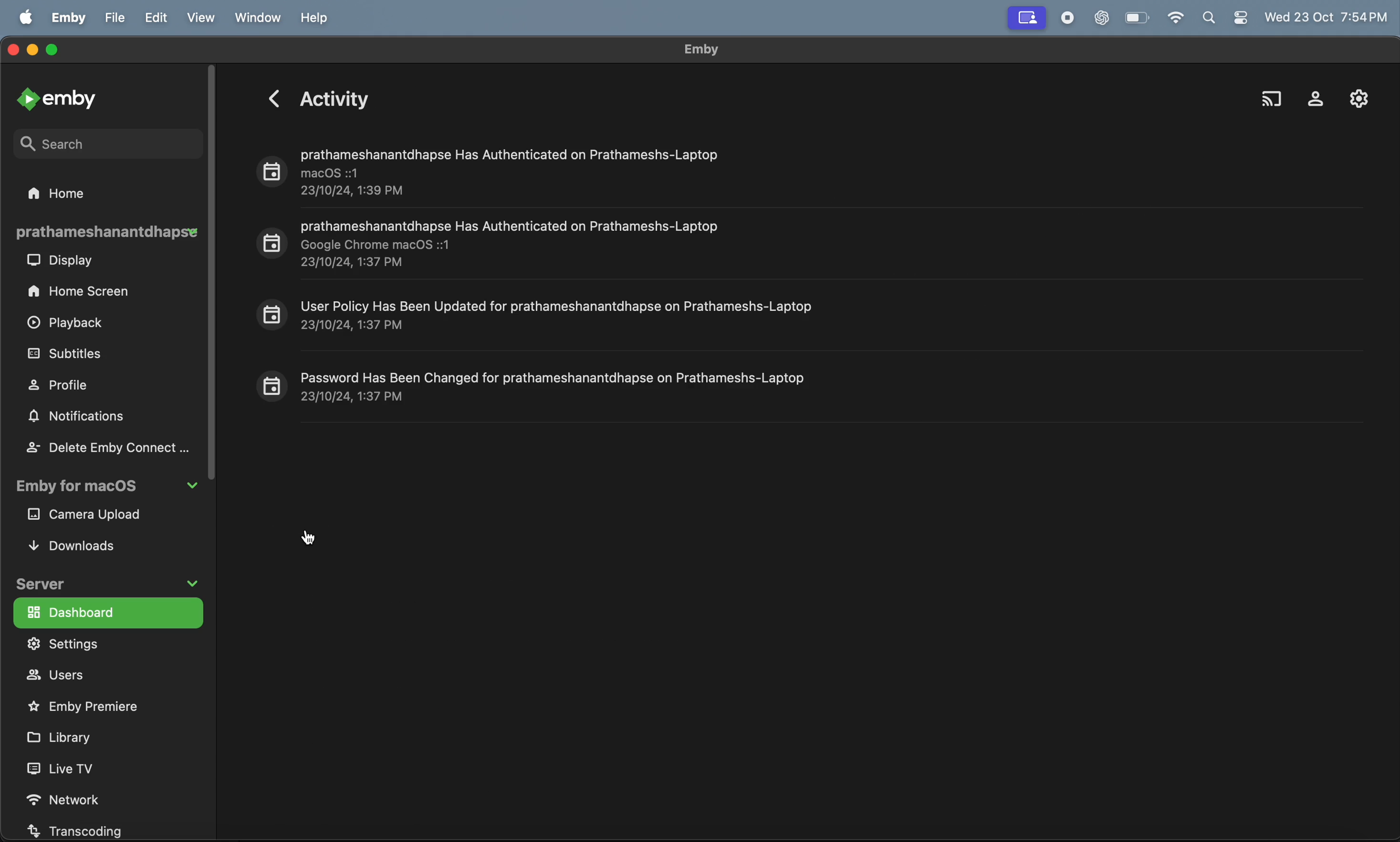 The image size is (1400, 842). Describe the element at coordinates (1065, 18) in the screenshot. I see `record` at that location.